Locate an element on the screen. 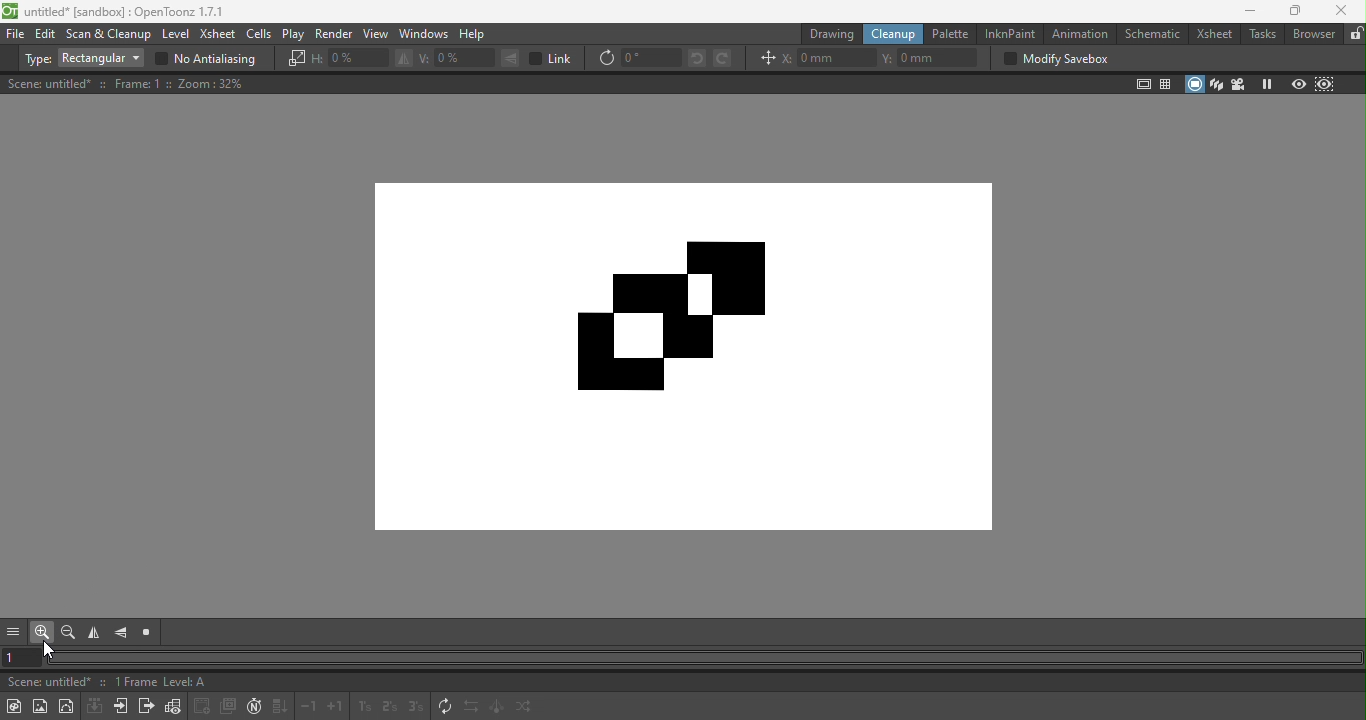  Field guide is located at coordinates (1163, 84).